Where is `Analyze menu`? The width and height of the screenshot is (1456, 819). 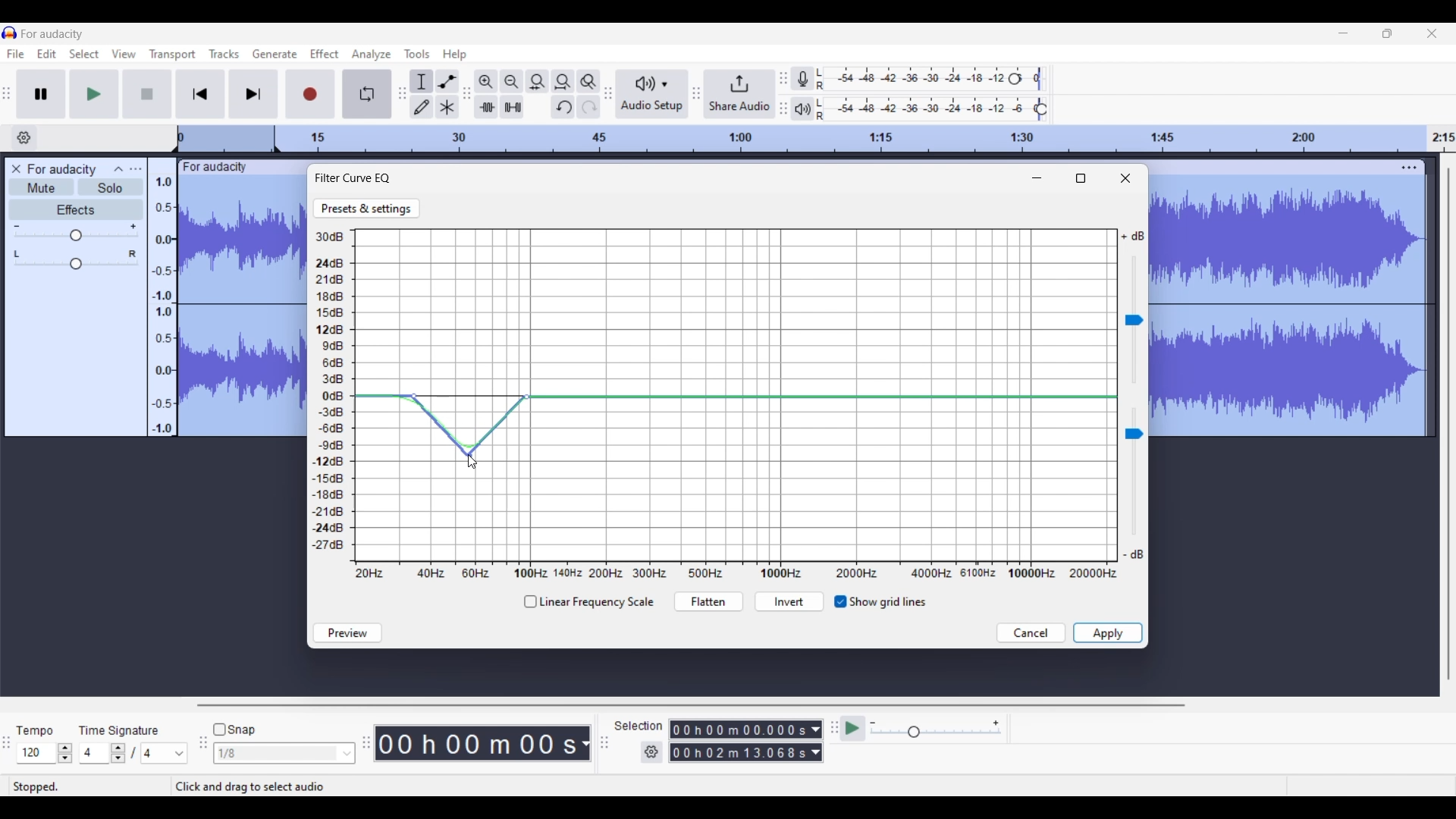 Analyze menu is located at coordinates (371, 55).